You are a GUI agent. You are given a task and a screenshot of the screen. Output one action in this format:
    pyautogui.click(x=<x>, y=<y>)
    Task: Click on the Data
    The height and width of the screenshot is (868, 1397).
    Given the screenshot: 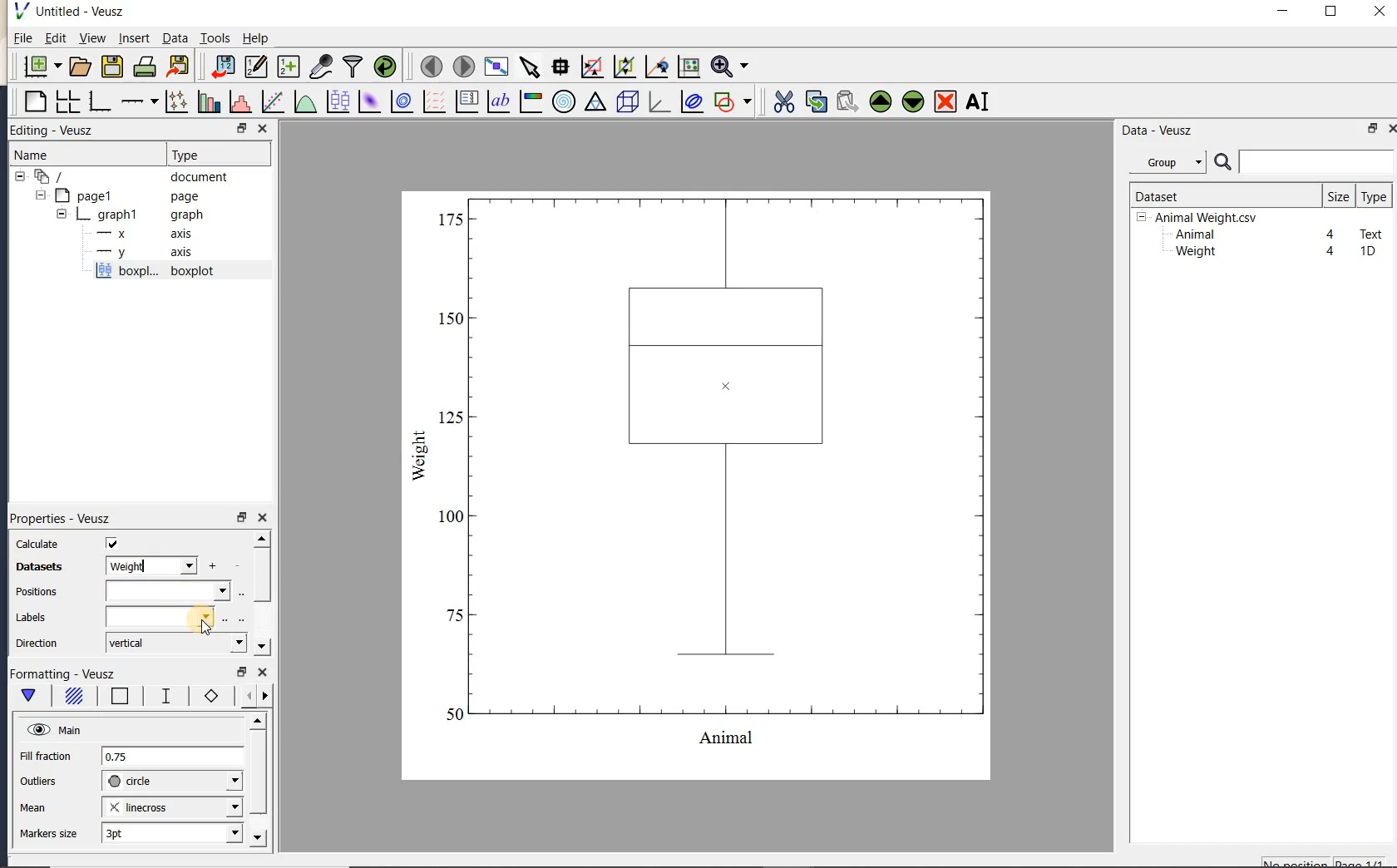 What is the action you would take?
    pyautogui.click(x=175, y=37)
    